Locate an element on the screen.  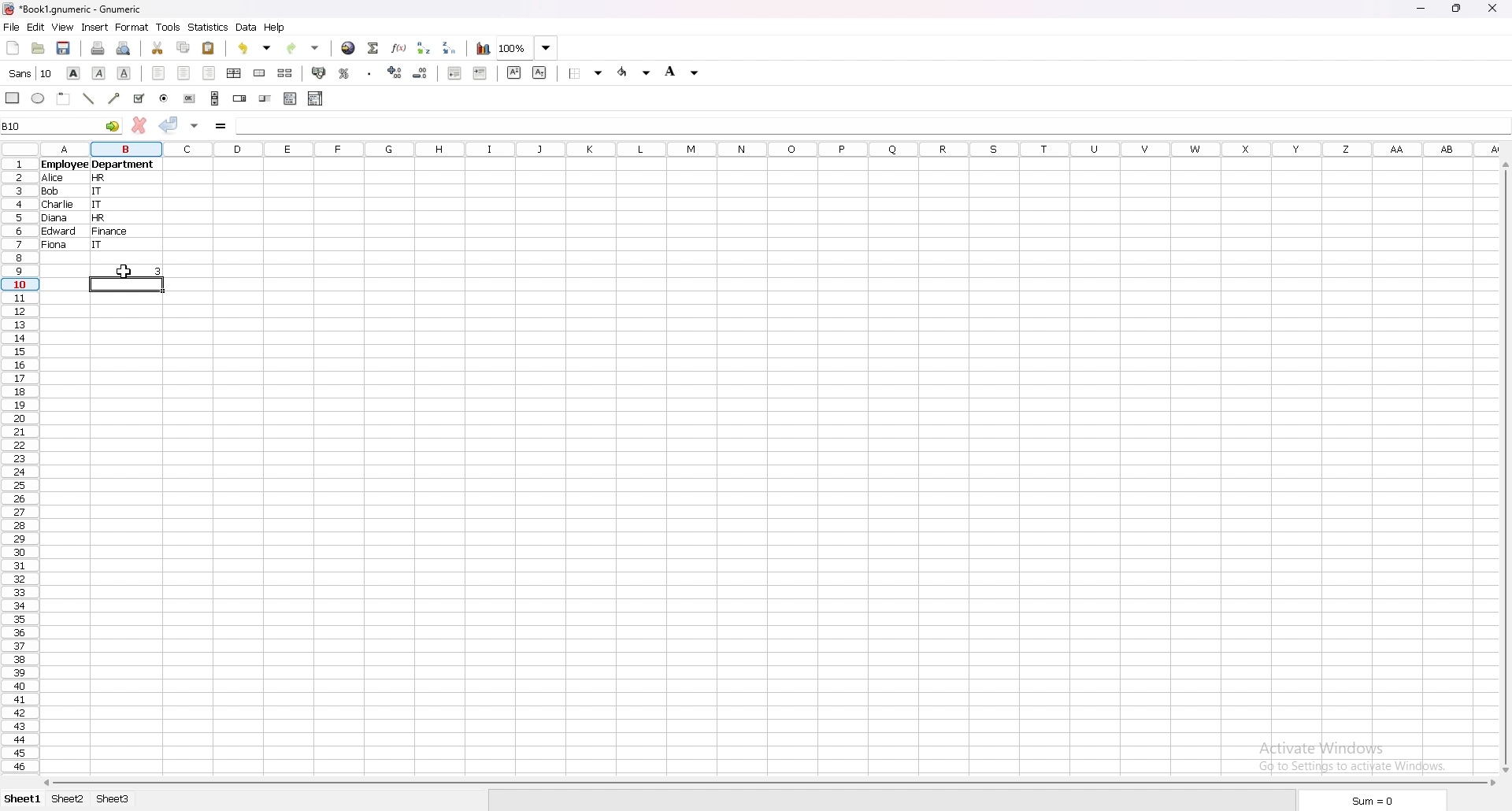
sheet 2 is located at coordinates (69, 799).